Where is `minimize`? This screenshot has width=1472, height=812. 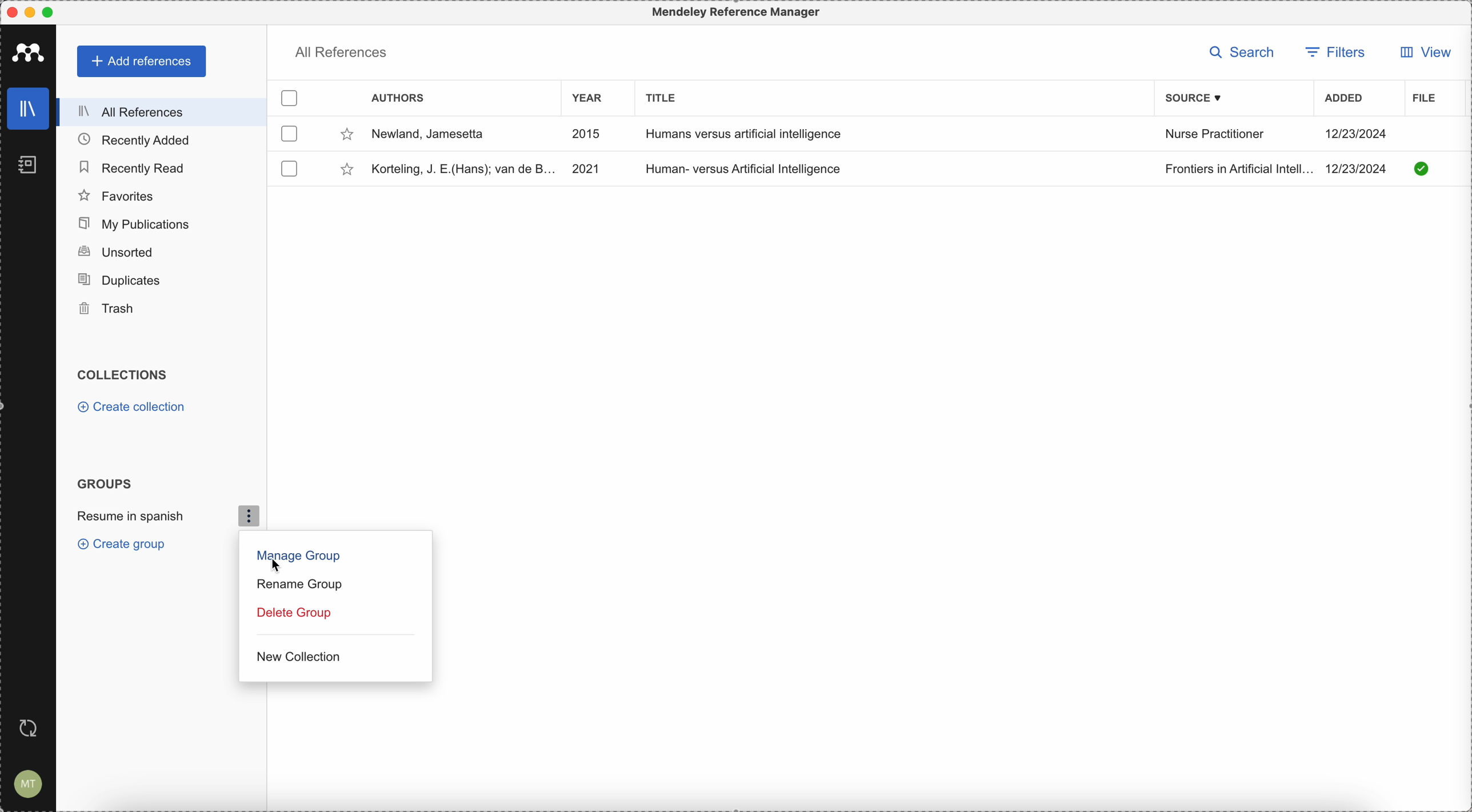
minimize is located at coordinates (33, 12).